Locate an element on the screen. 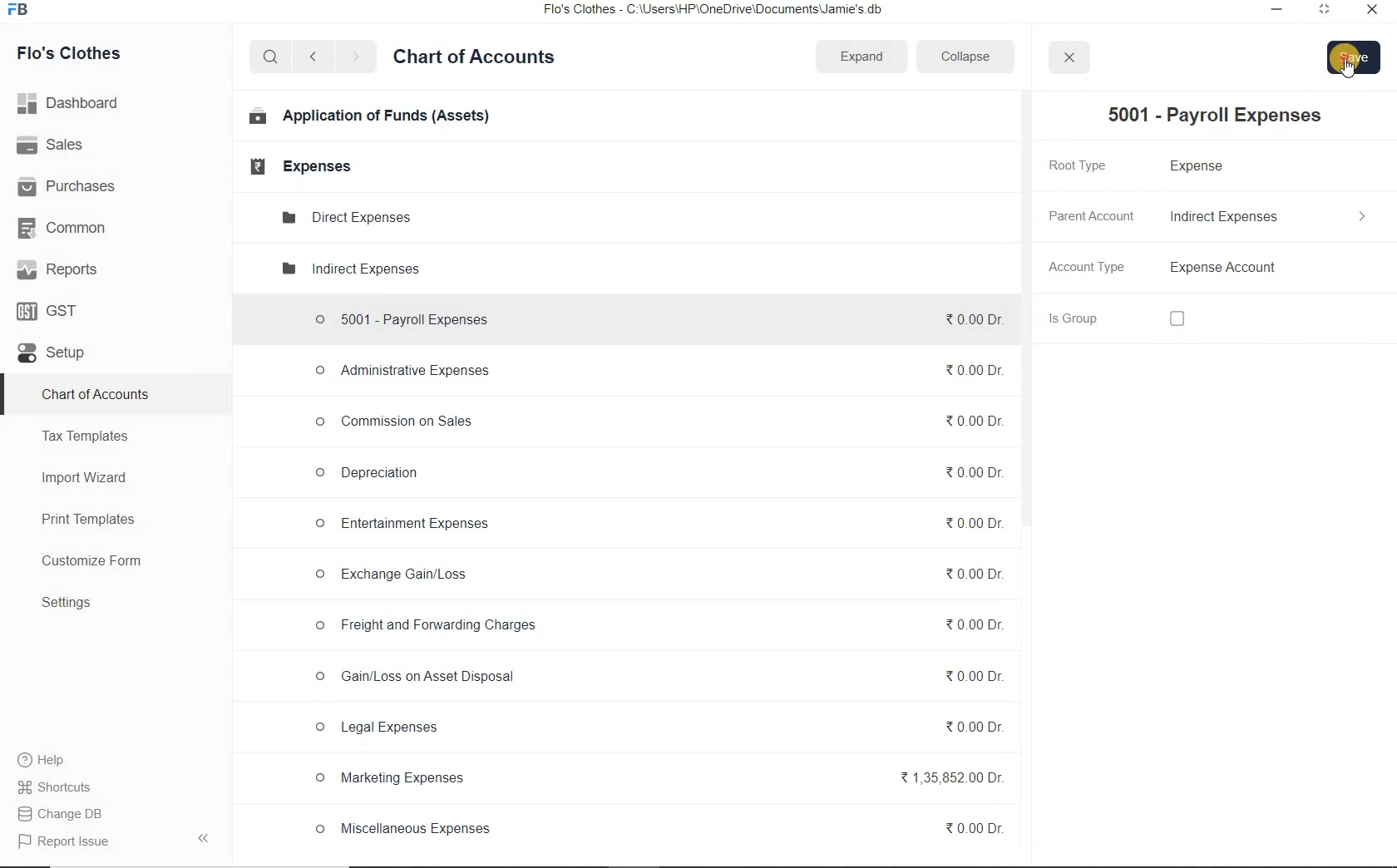  Chart of Accounts is located at coordinates (474, 59).